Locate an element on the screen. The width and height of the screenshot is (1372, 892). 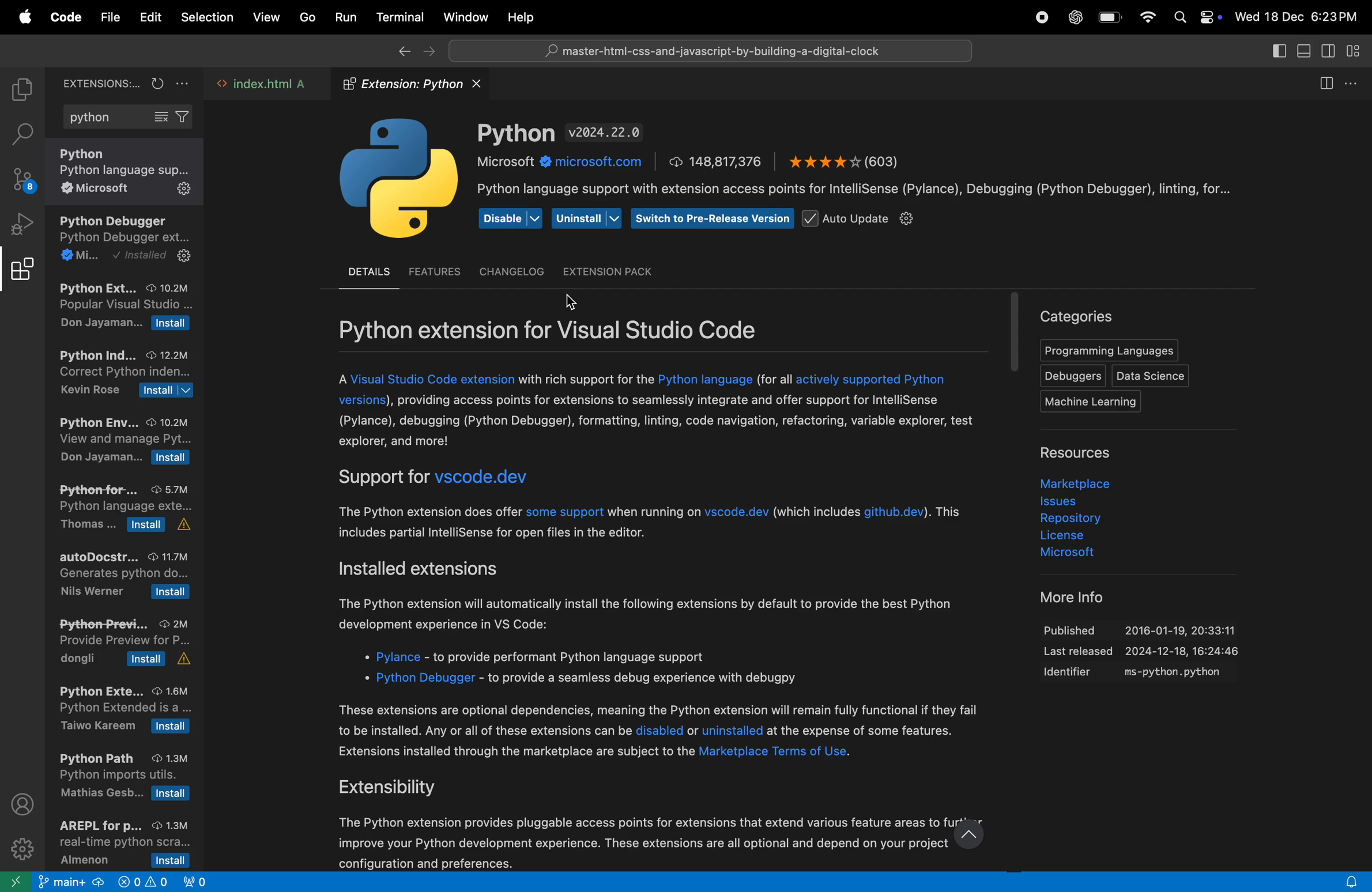
indentifier is located at coordinates (1145, 674).